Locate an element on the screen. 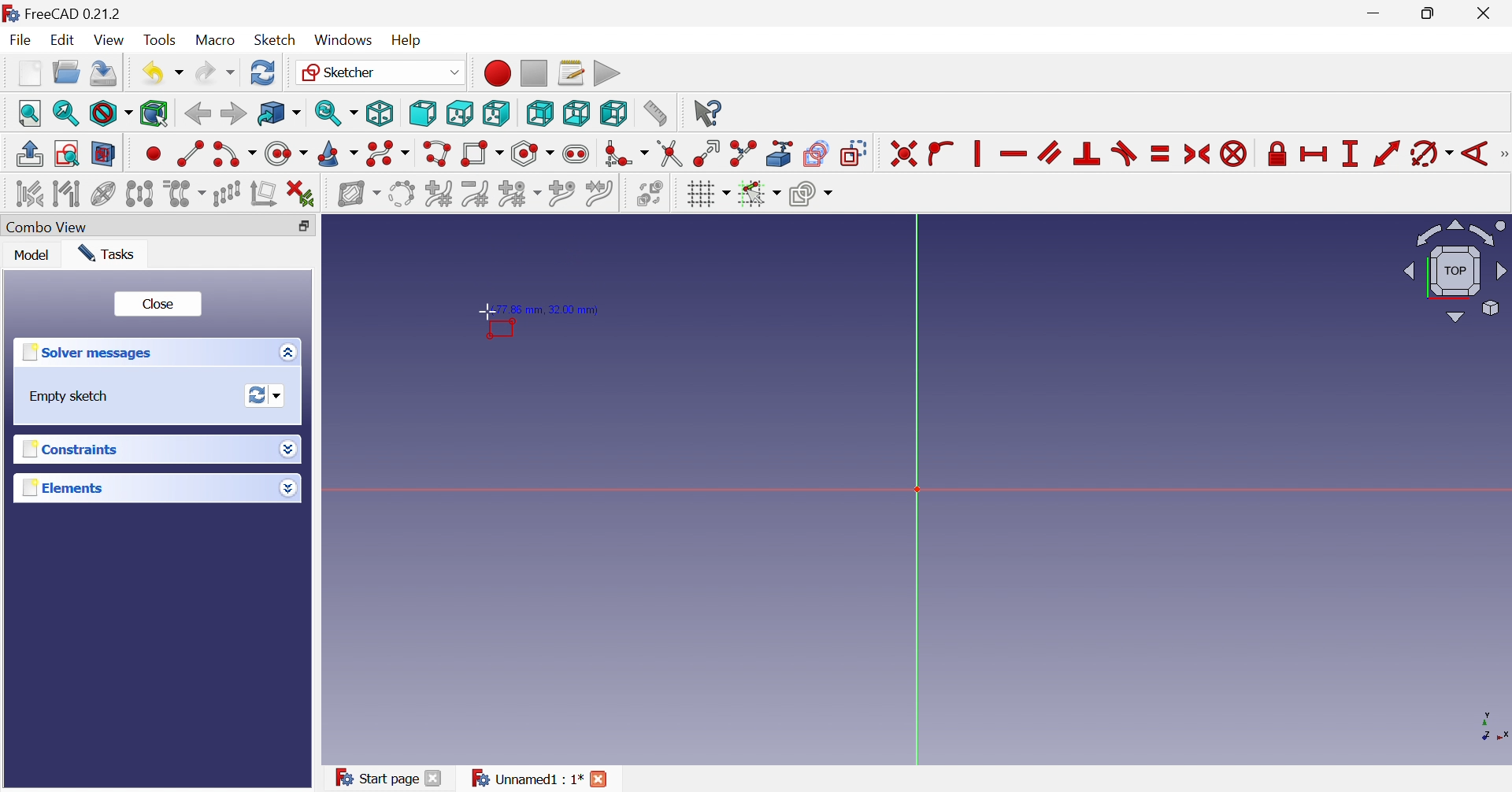 Image resolution: width=1512 pixels, height=792 pixels. Remove axes alignment is located at coordinates (265, 195).